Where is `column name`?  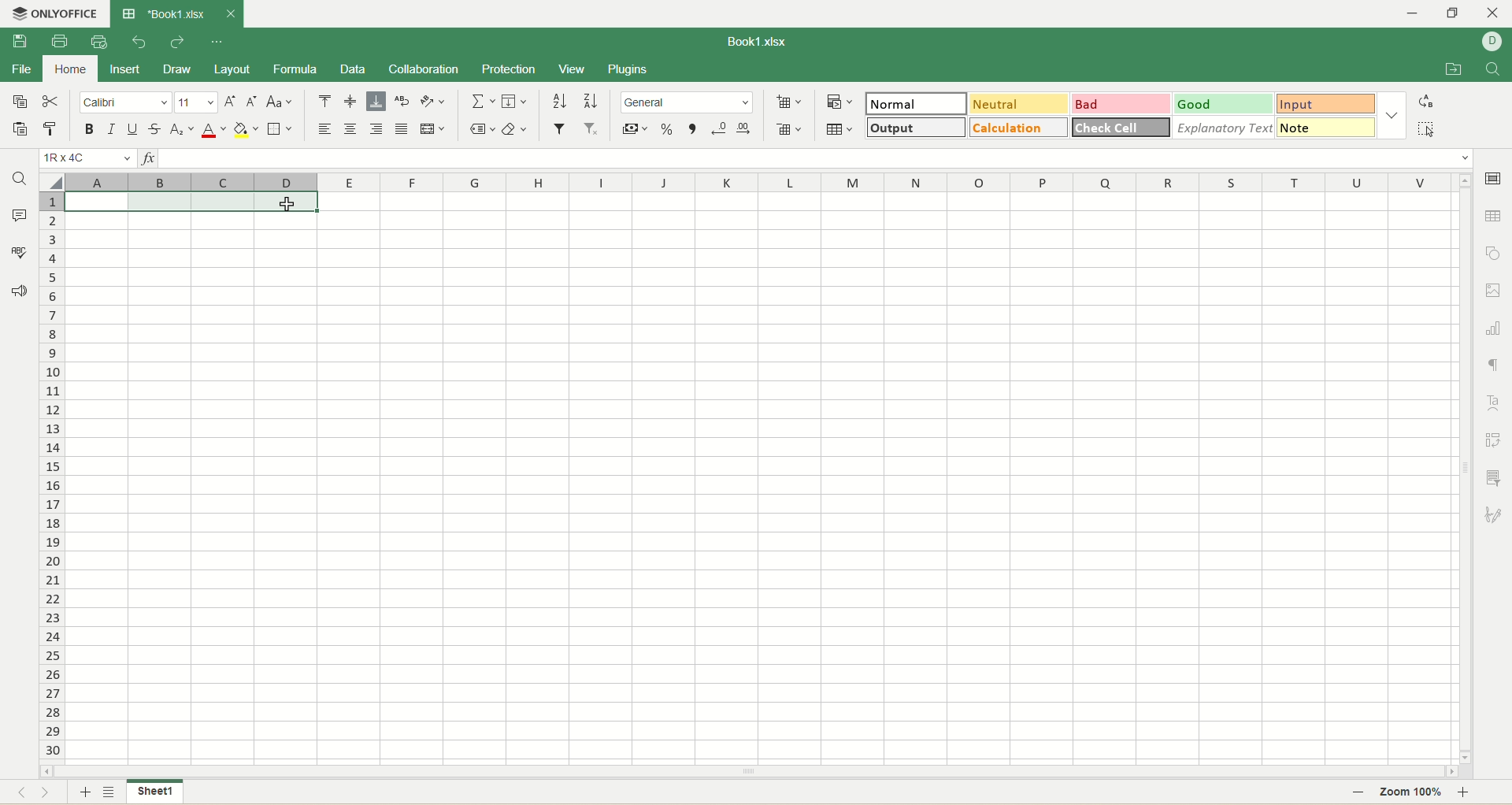
column name is located at coordinates (755, 180).